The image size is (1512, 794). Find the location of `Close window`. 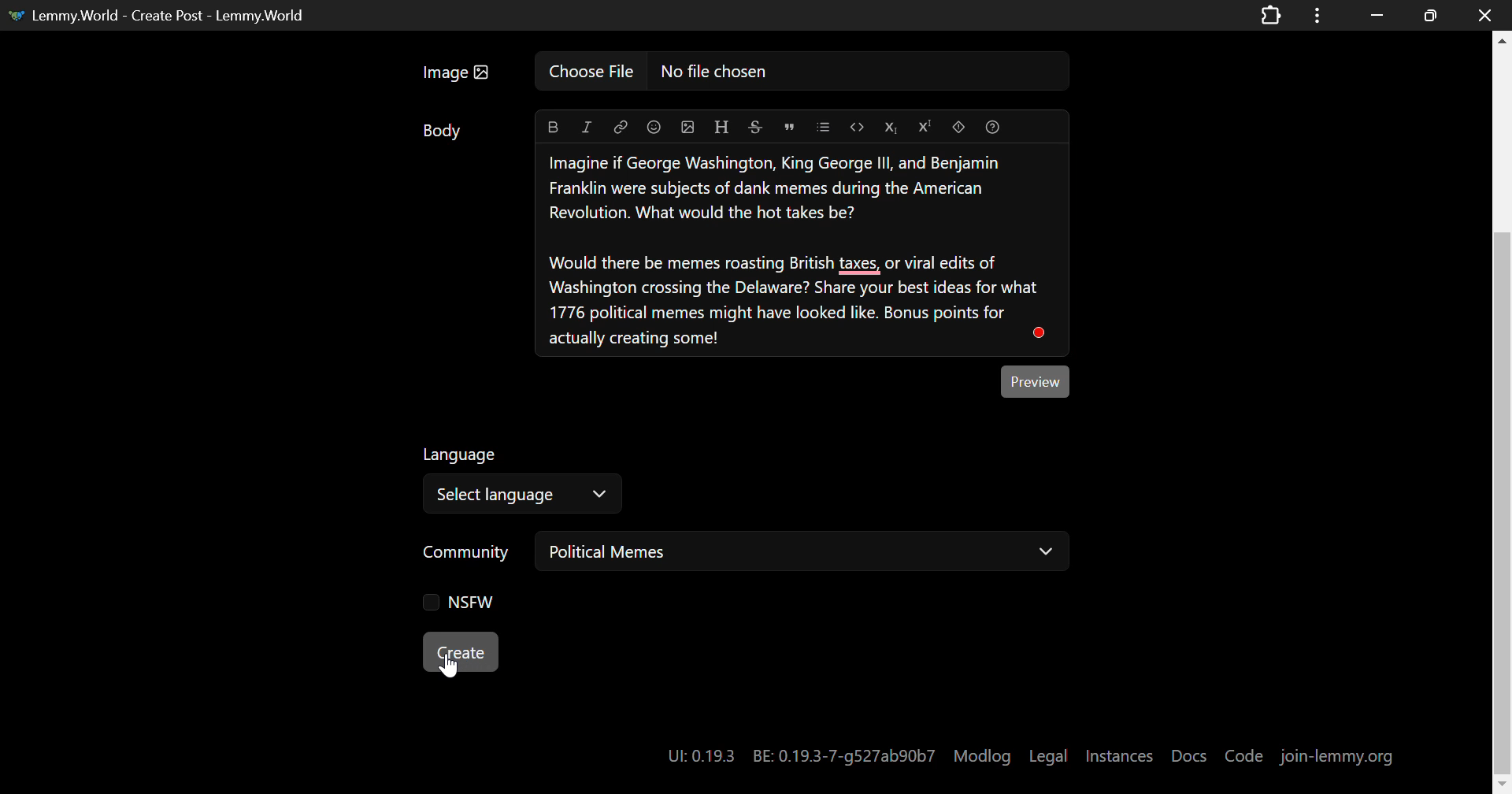

Close window is located at coordinates (1487, 14).